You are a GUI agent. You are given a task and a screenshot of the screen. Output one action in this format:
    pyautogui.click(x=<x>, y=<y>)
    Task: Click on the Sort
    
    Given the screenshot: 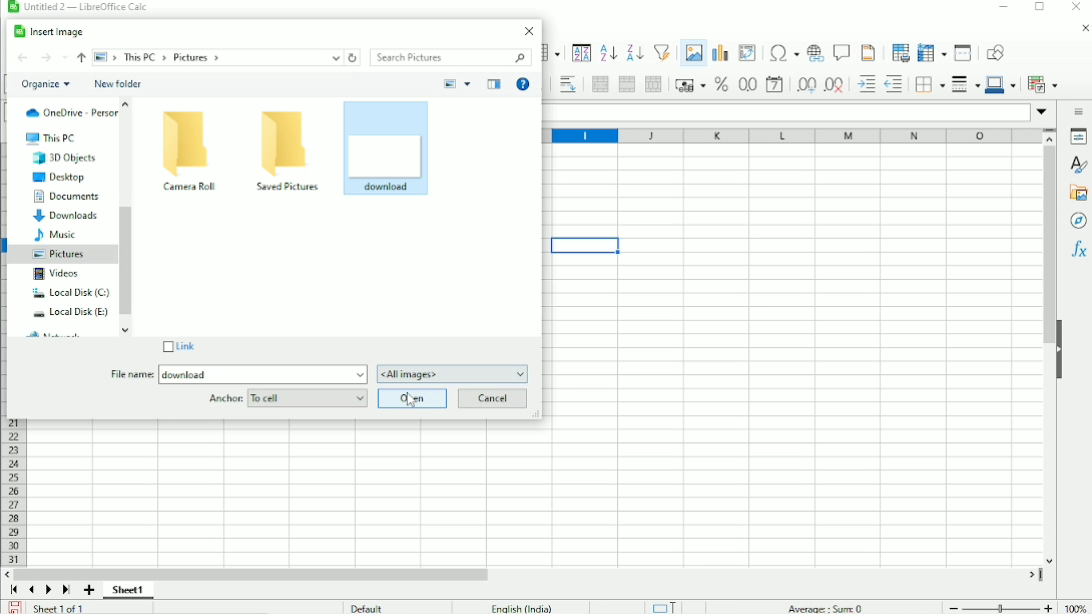 What is the action you would take?
    pyautogui.click(x=580, y=52)
    